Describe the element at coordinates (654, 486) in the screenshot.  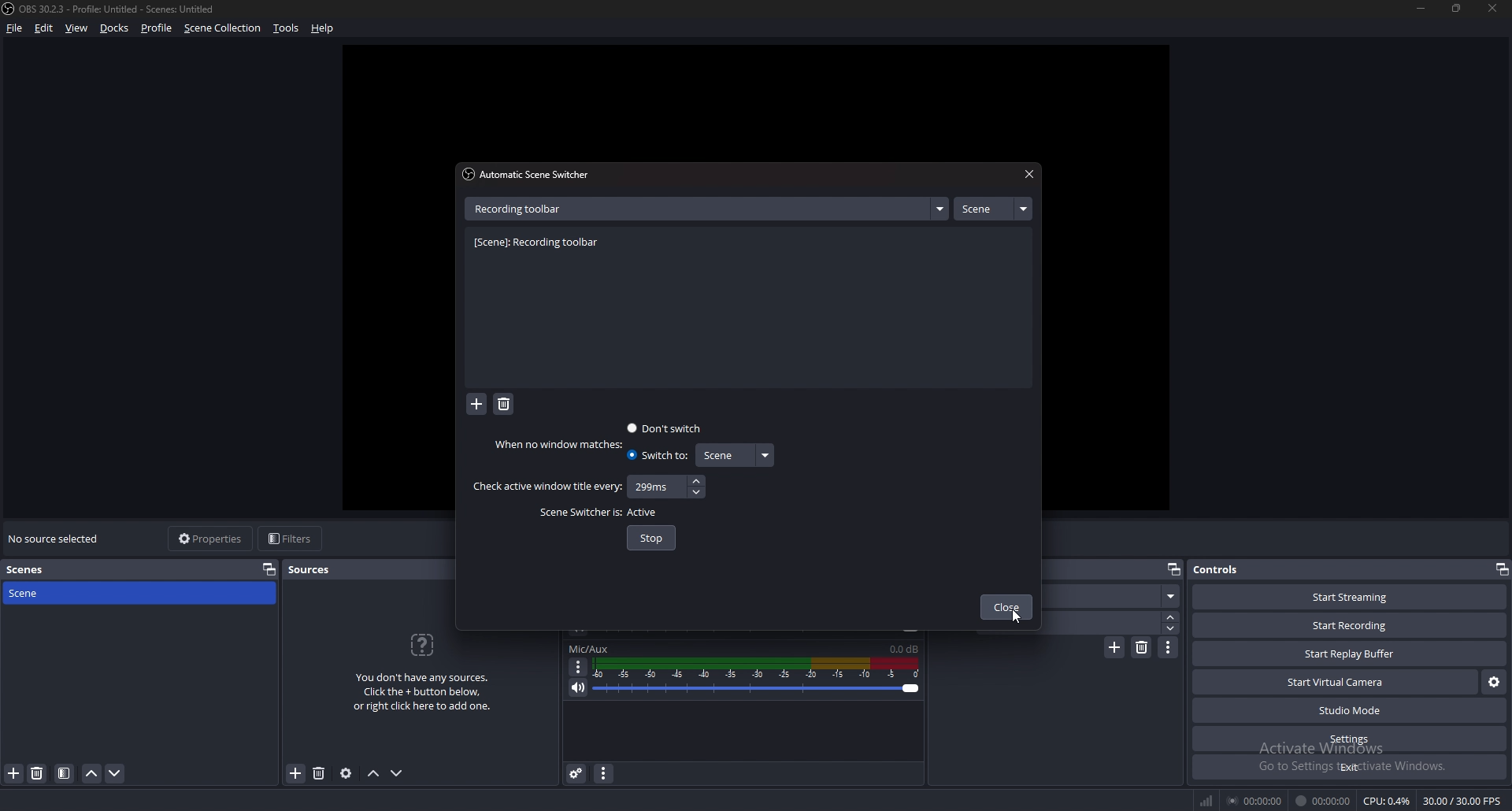
I see `time` at that location.